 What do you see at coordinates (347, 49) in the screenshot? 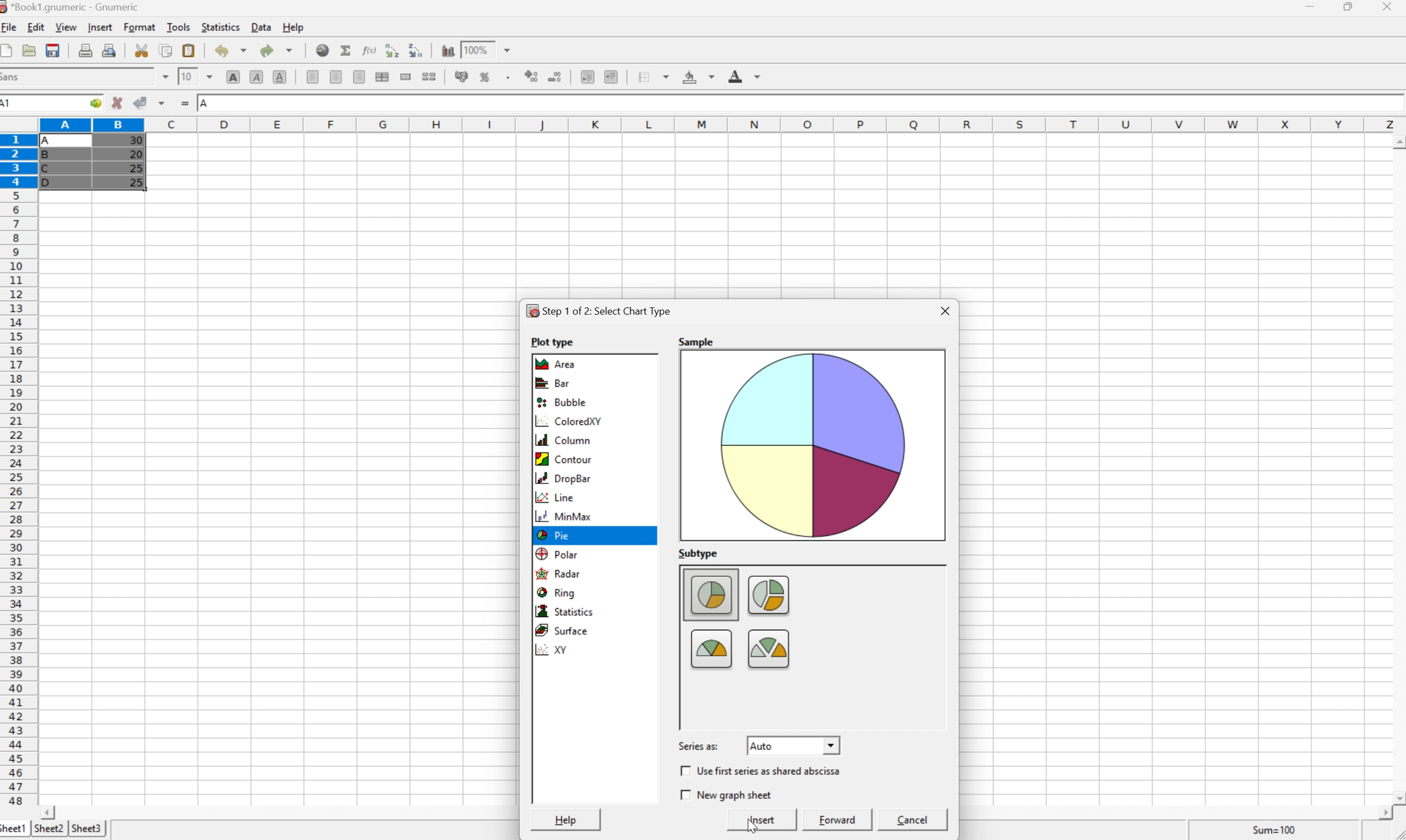
I see `Sum into current cell` at bounding box center [347, 49].